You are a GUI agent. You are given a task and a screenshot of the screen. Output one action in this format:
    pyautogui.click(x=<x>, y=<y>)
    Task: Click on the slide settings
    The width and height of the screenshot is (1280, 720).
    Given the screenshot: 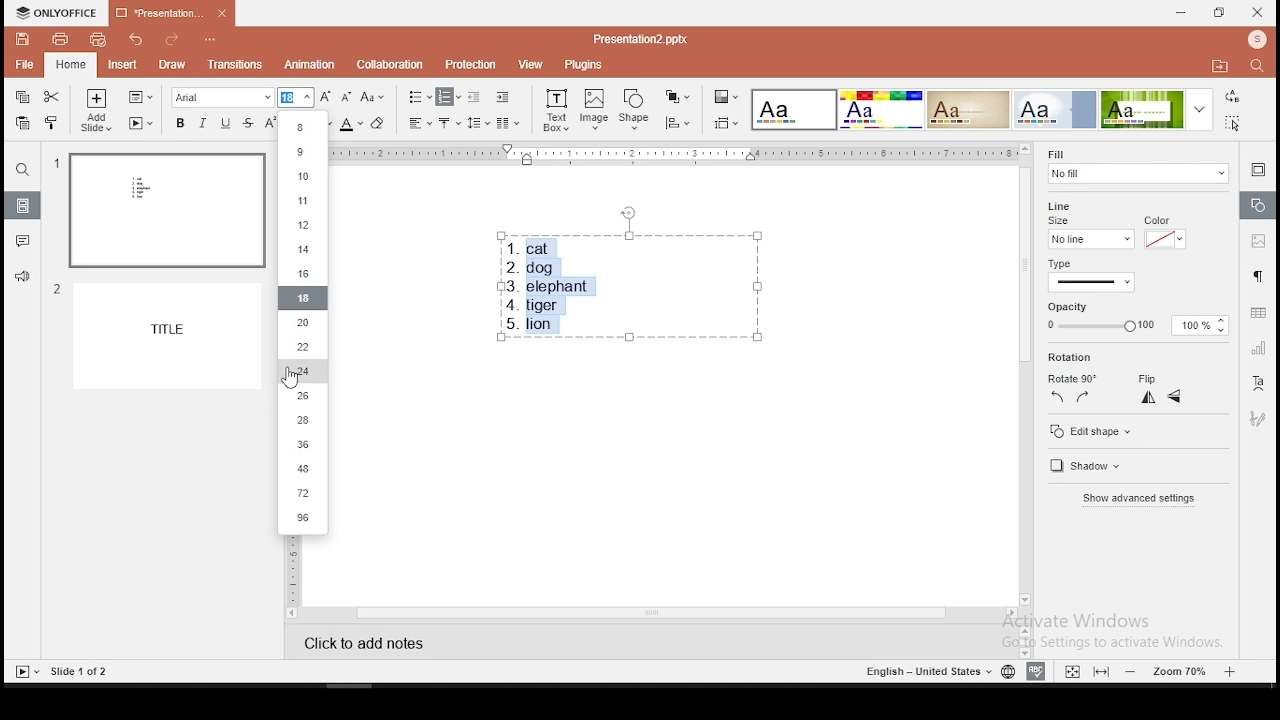 What is the action you would take?
    pyautogui.click(x=1257, y=170)
    